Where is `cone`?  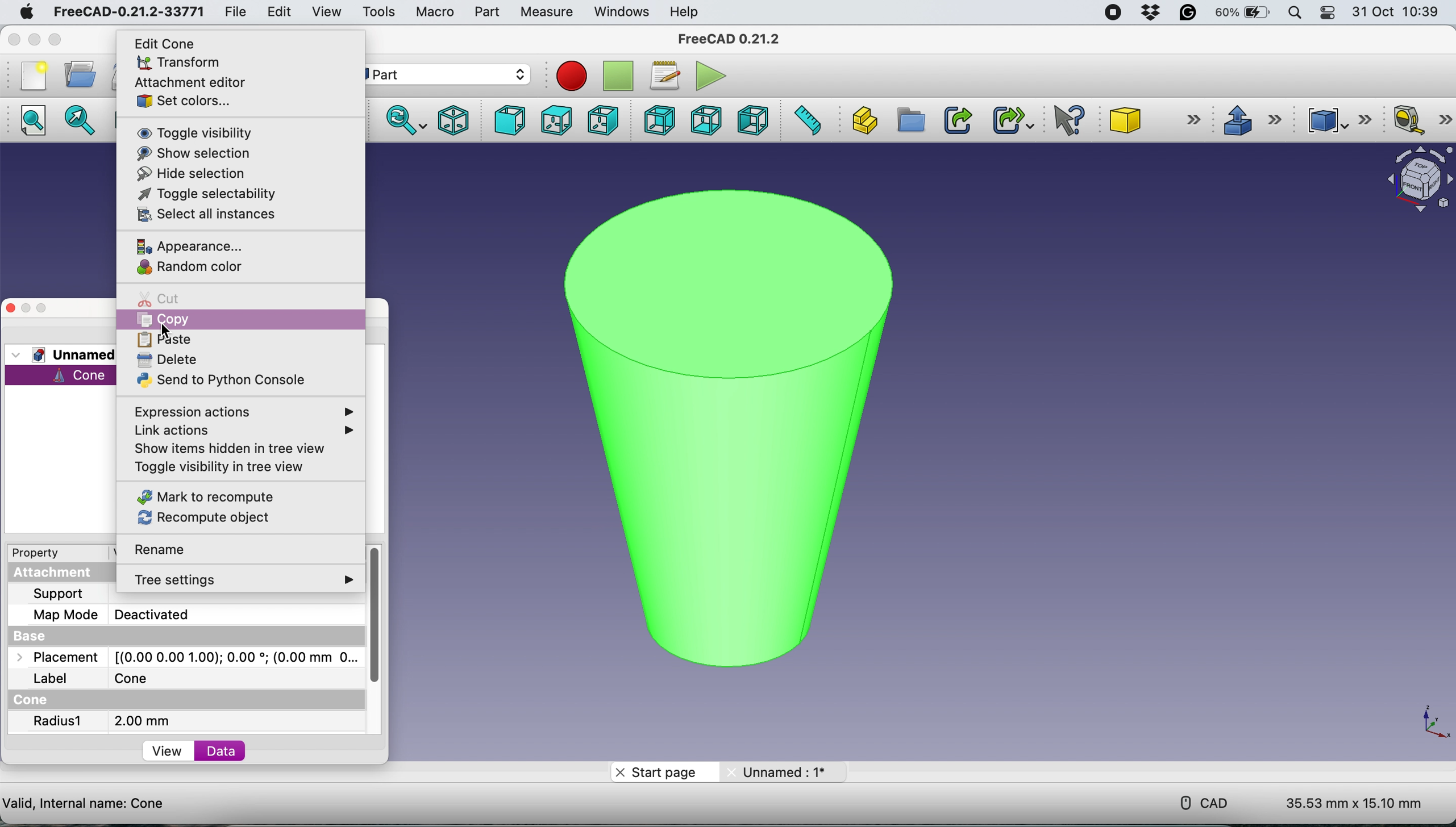 cone is located at coordinates (35, 700).